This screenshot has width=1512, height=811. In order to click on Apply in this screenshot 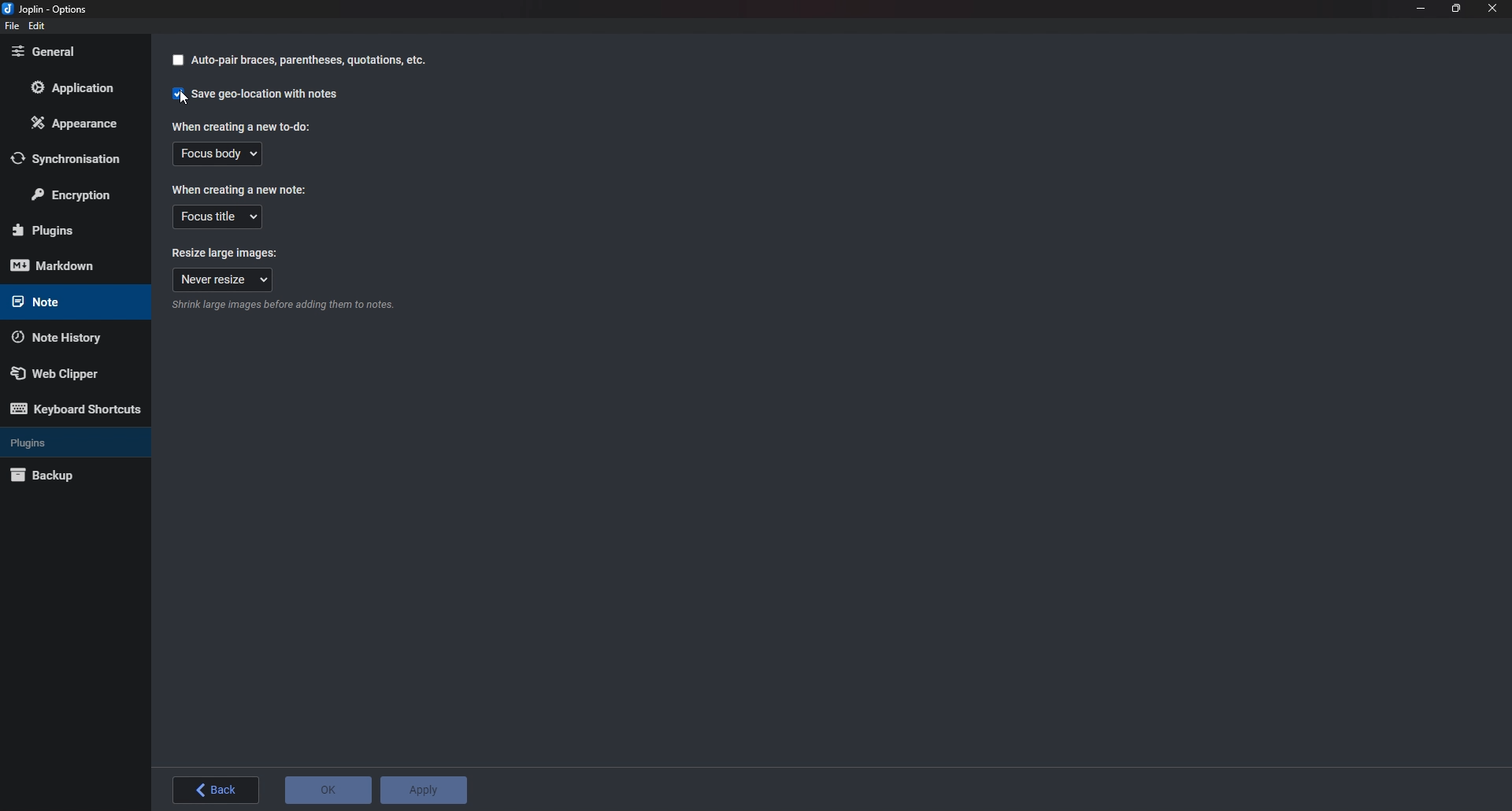, I will do `click(424, 791)`.